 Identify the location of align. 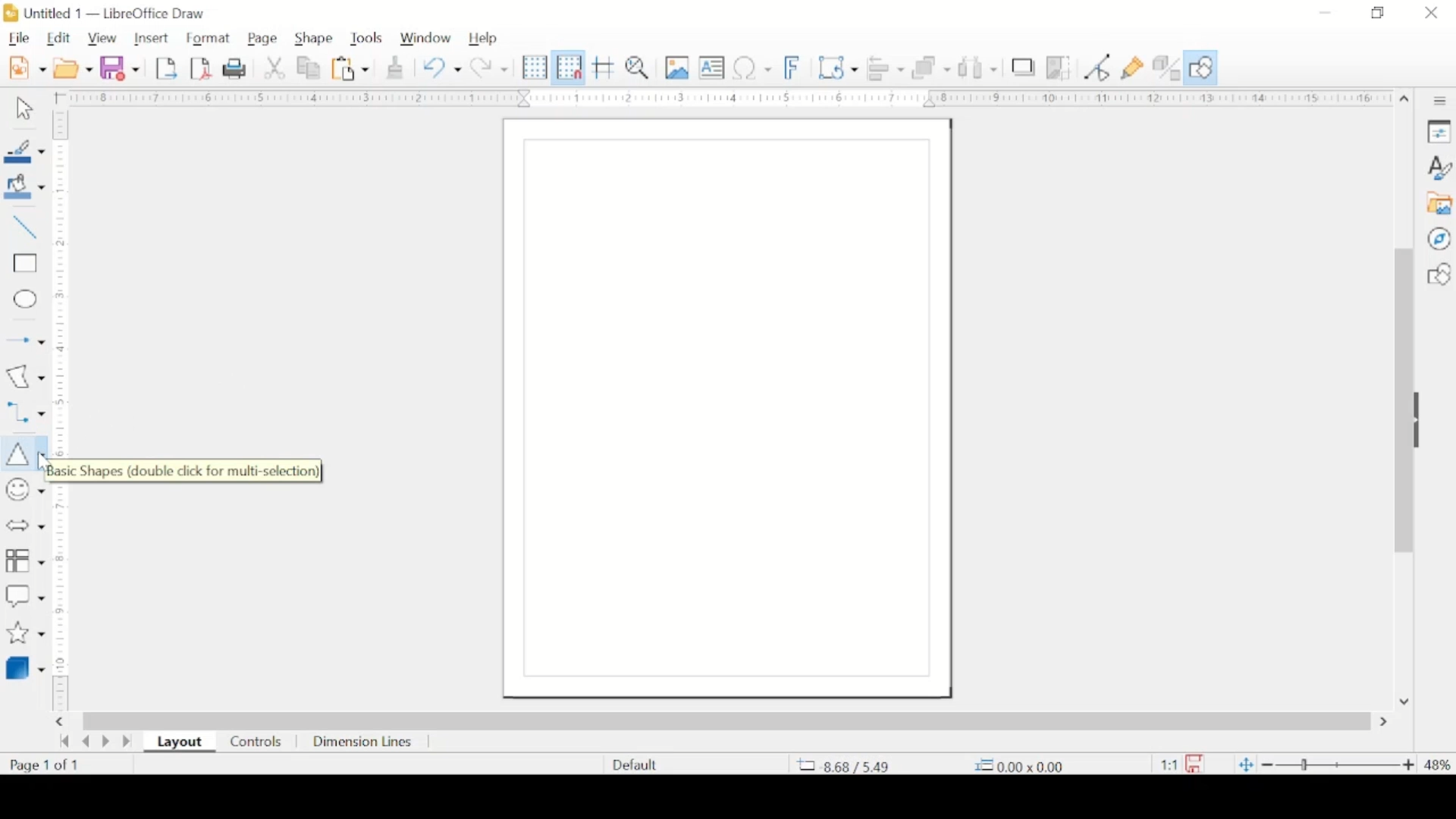
(887, 67).